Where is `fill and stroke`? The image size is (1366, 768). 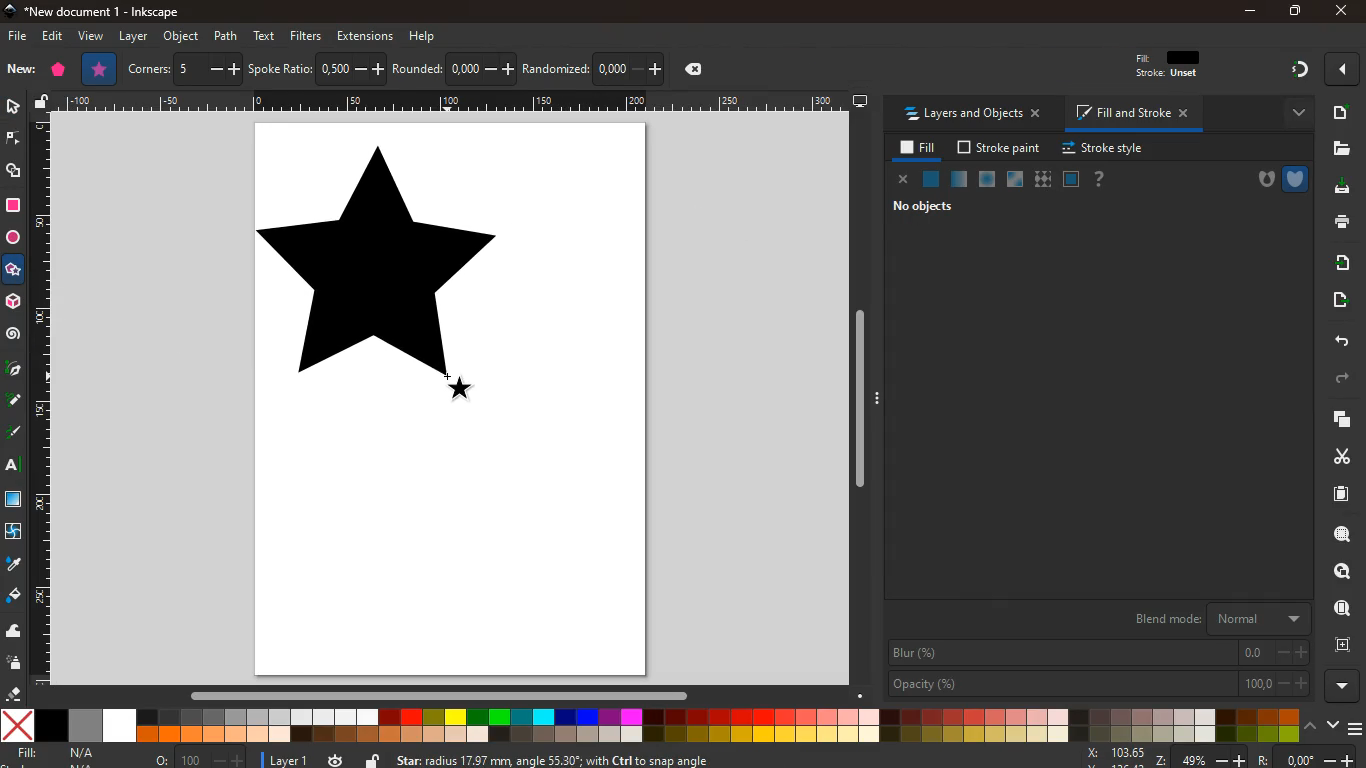 fill and stroke is located at coordinates (1128, 115).